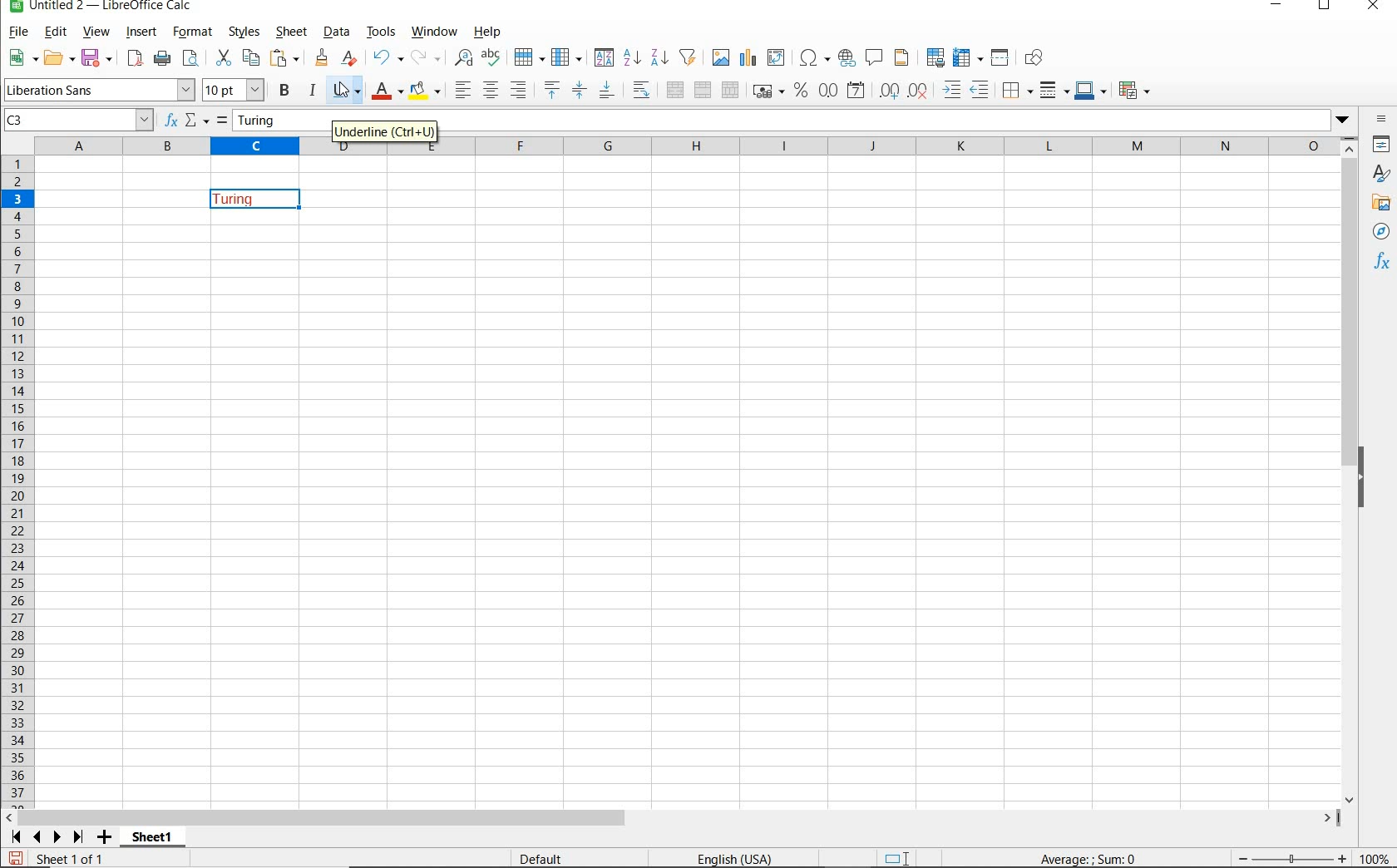 The width and height of the screenshot is (1397, 868). Describe the element at coordinates (386, 133) in the screenshot. I see `UNDERLINE` at that location.